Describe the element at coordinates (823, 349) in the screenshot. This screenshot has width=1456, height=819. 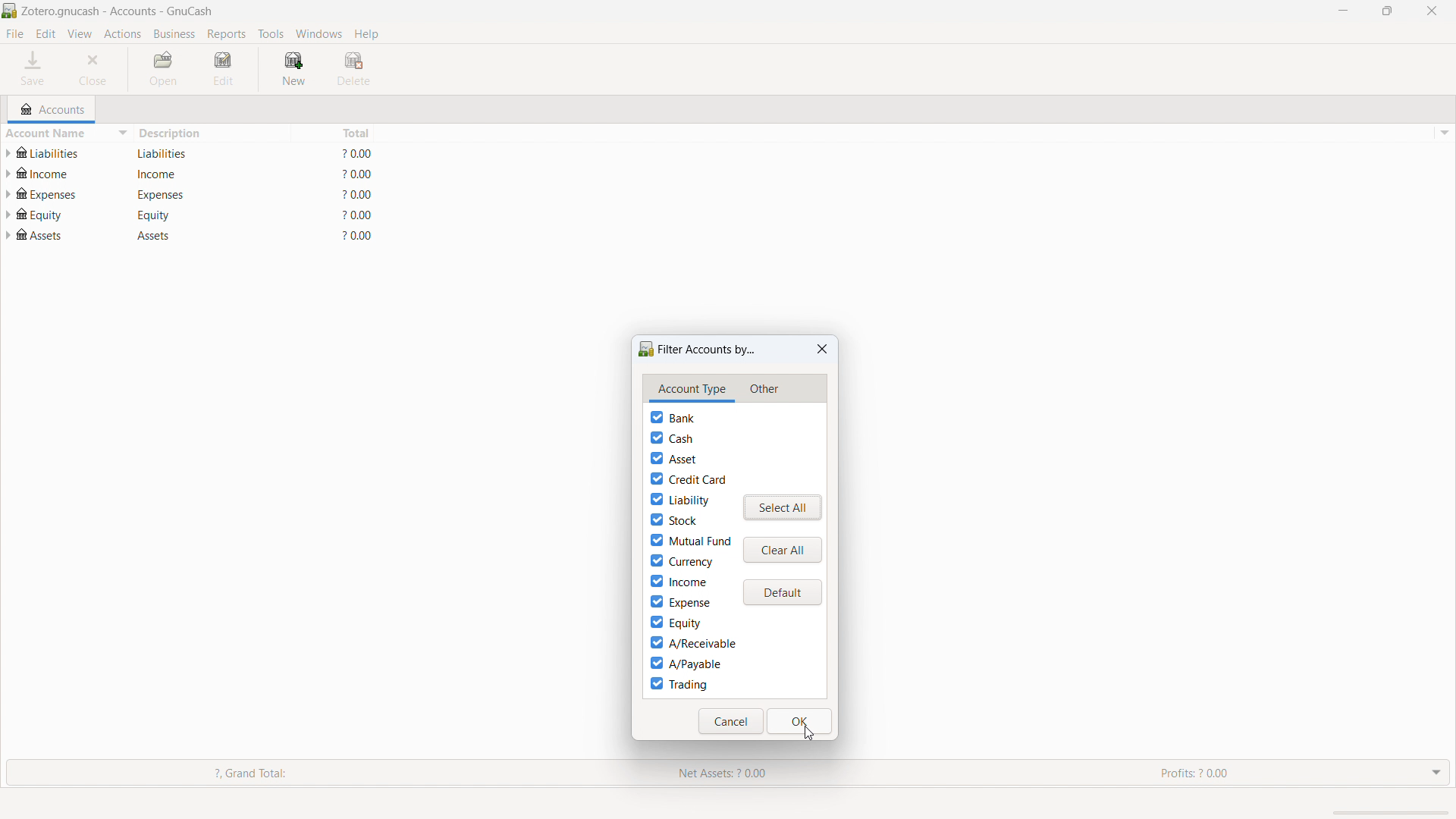
I see `close` at that location.